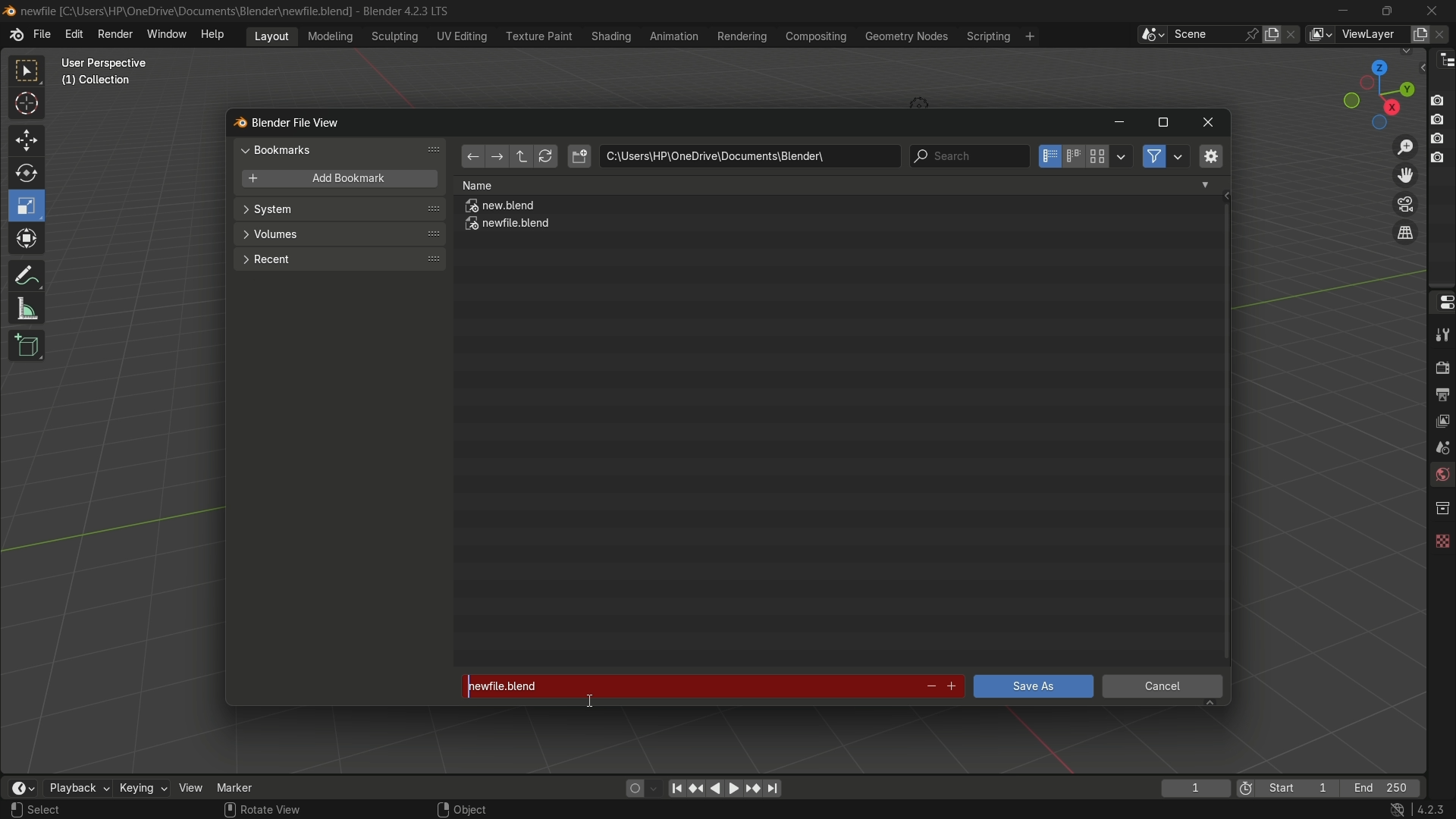 This screenshot has width=1456, height=819. What do you see at coordinates (609, 36) in the screenshot?
I see `shading menu` at bounding box center [609, 36].